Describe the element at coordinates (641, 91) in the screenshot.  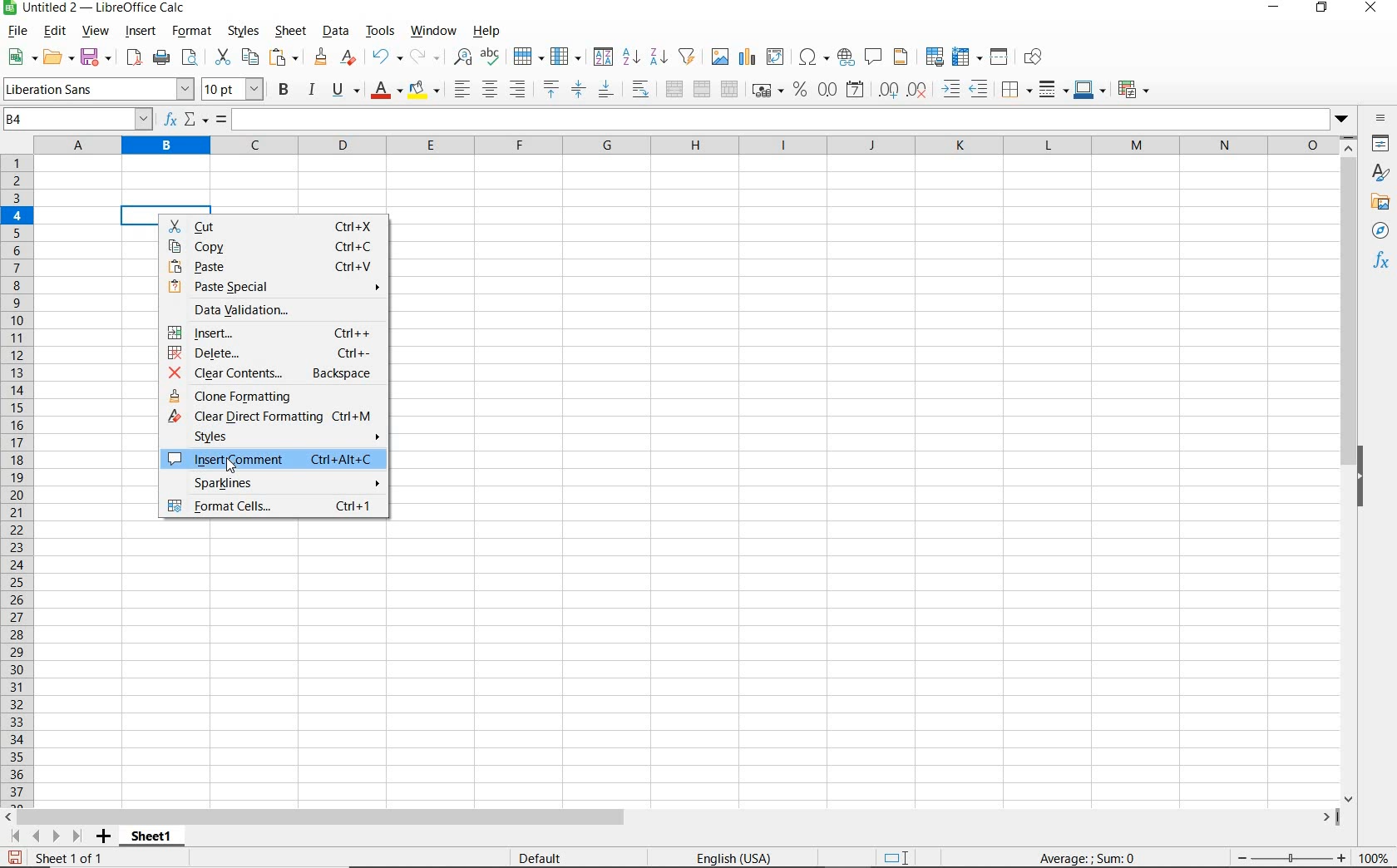
I see `wrap text` at that location.